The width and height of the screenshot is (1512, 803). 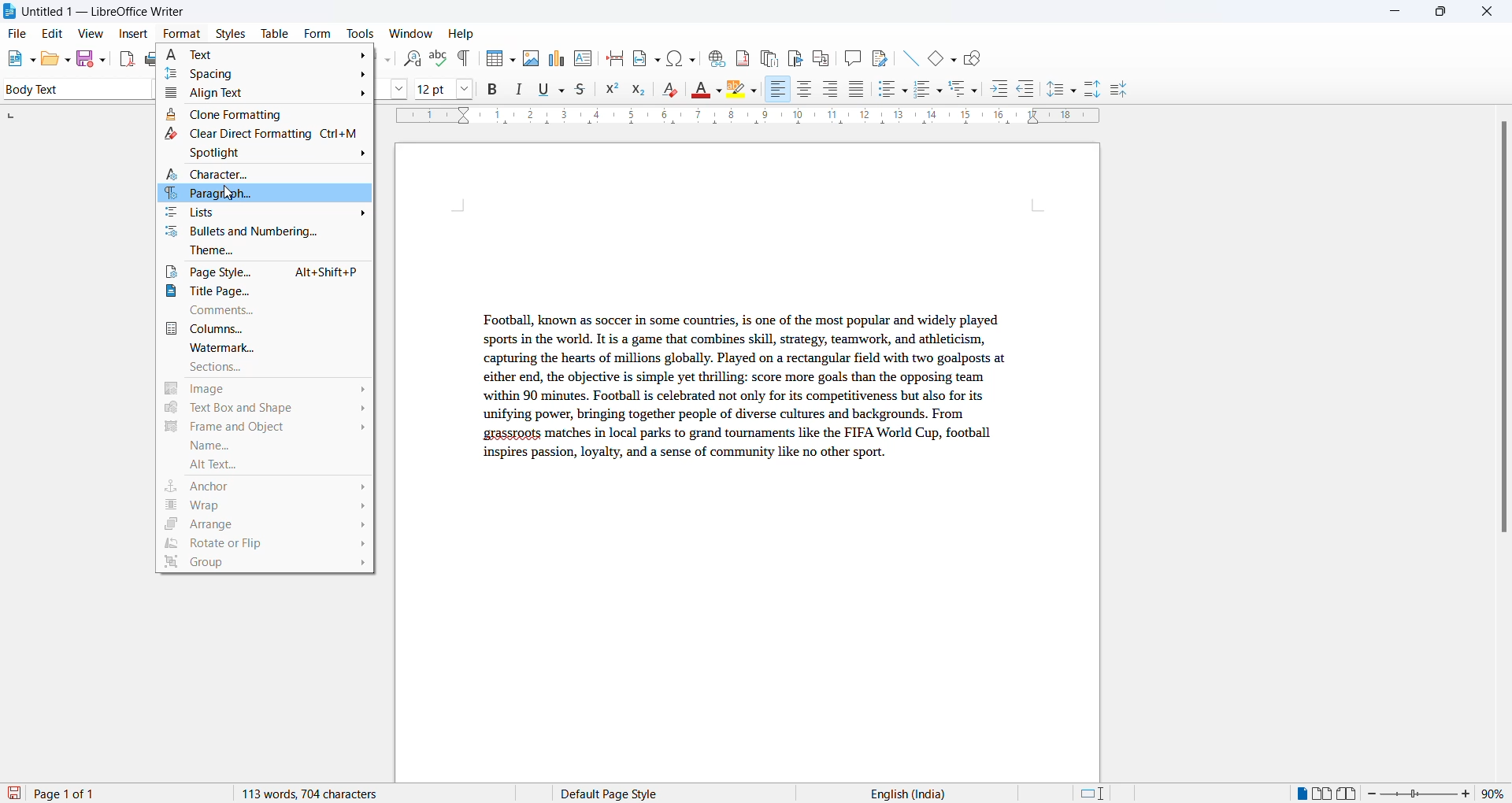 I want to click on increase indent, so click(x=1004, y=90).